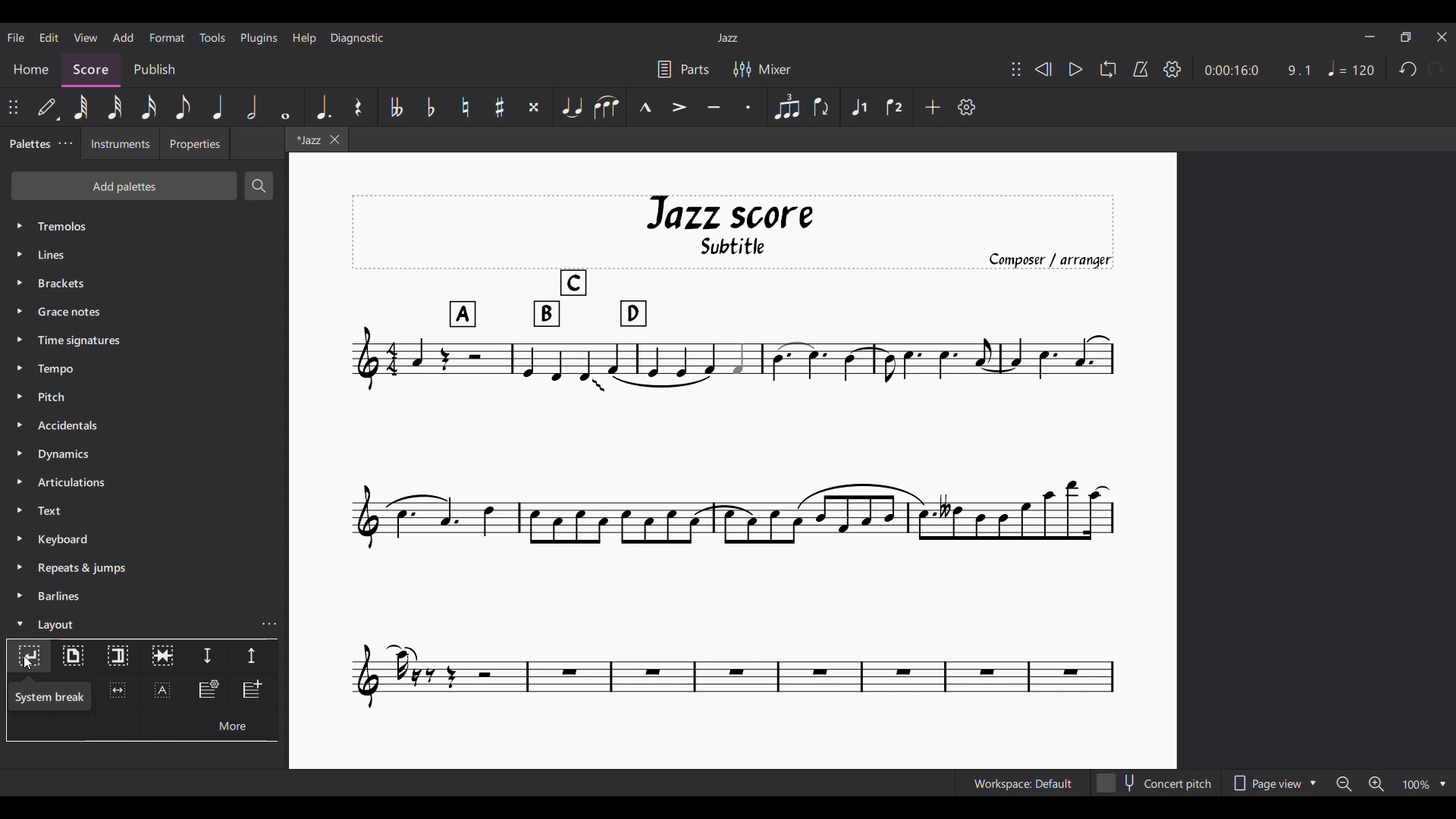 Image resolution: width=1456 pixels, height=819 pixels. Describe the element at coordinates (259, 186) in the screenshot. I see `Search` at that location.